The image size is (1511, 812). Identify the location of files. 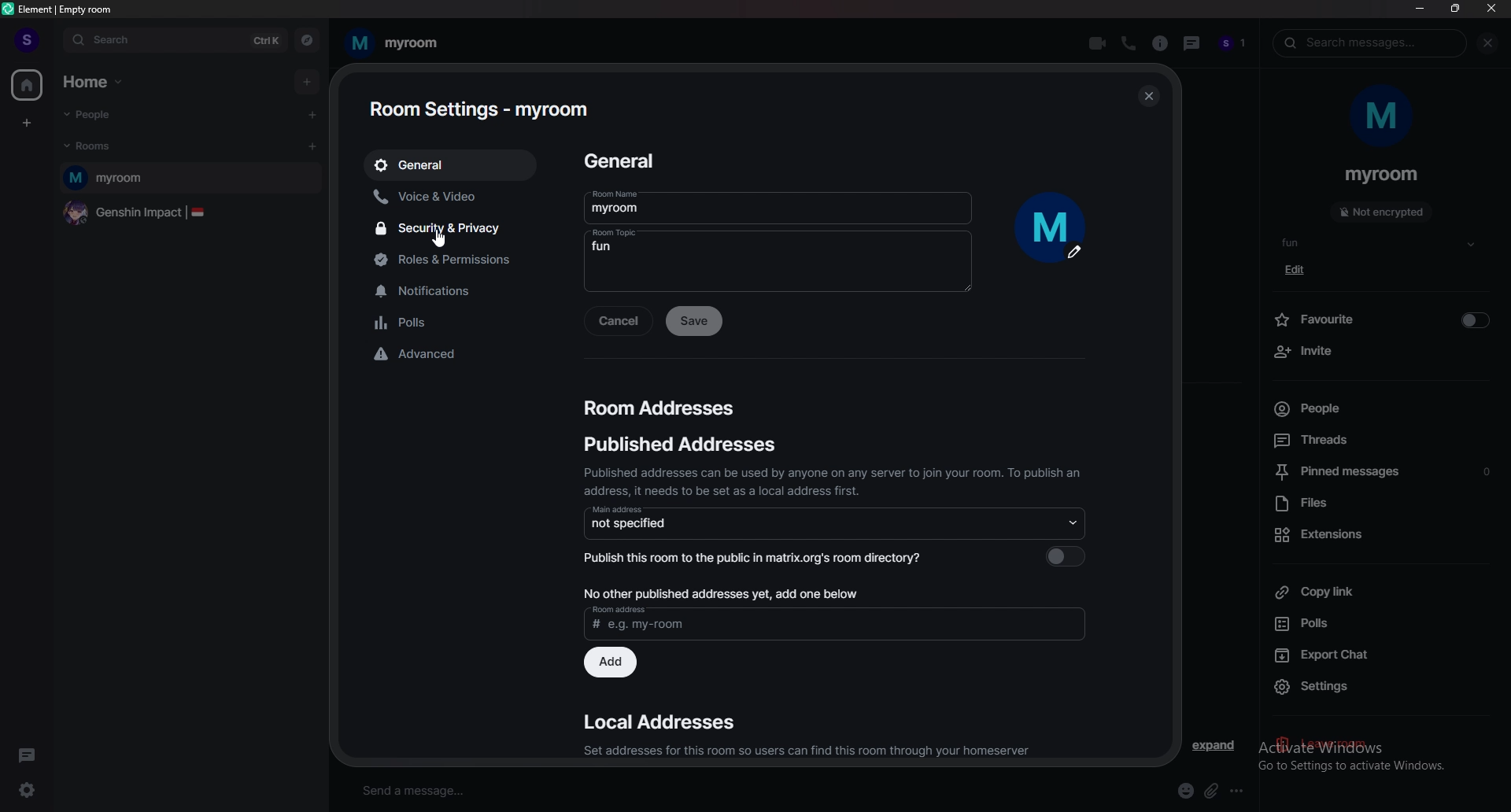
(1386, 504).